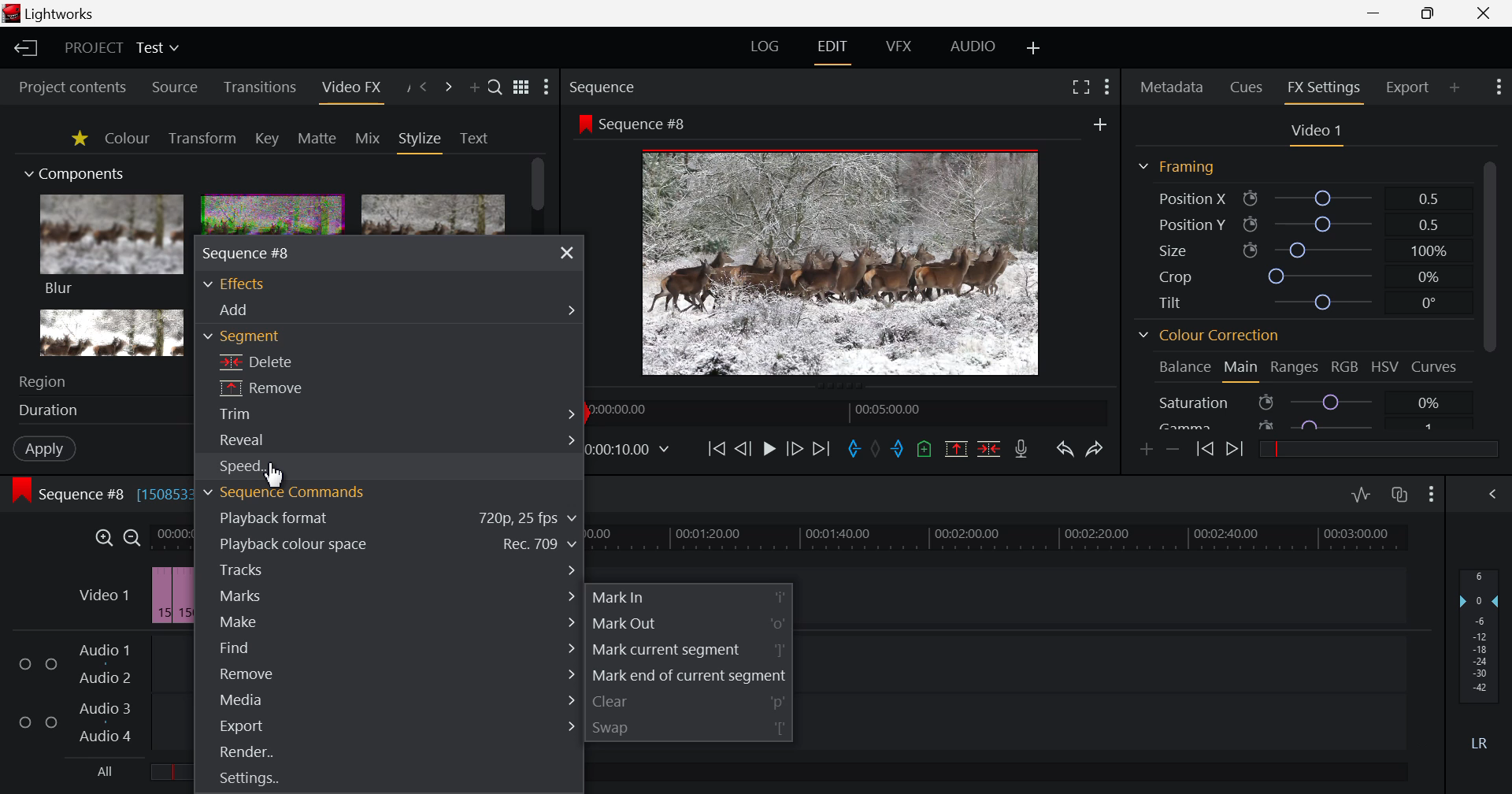 This screenshot has height=794, width=1512. Describe the element at coordinates (1183, 369) in the screenshot. I see `Balance` at that location.